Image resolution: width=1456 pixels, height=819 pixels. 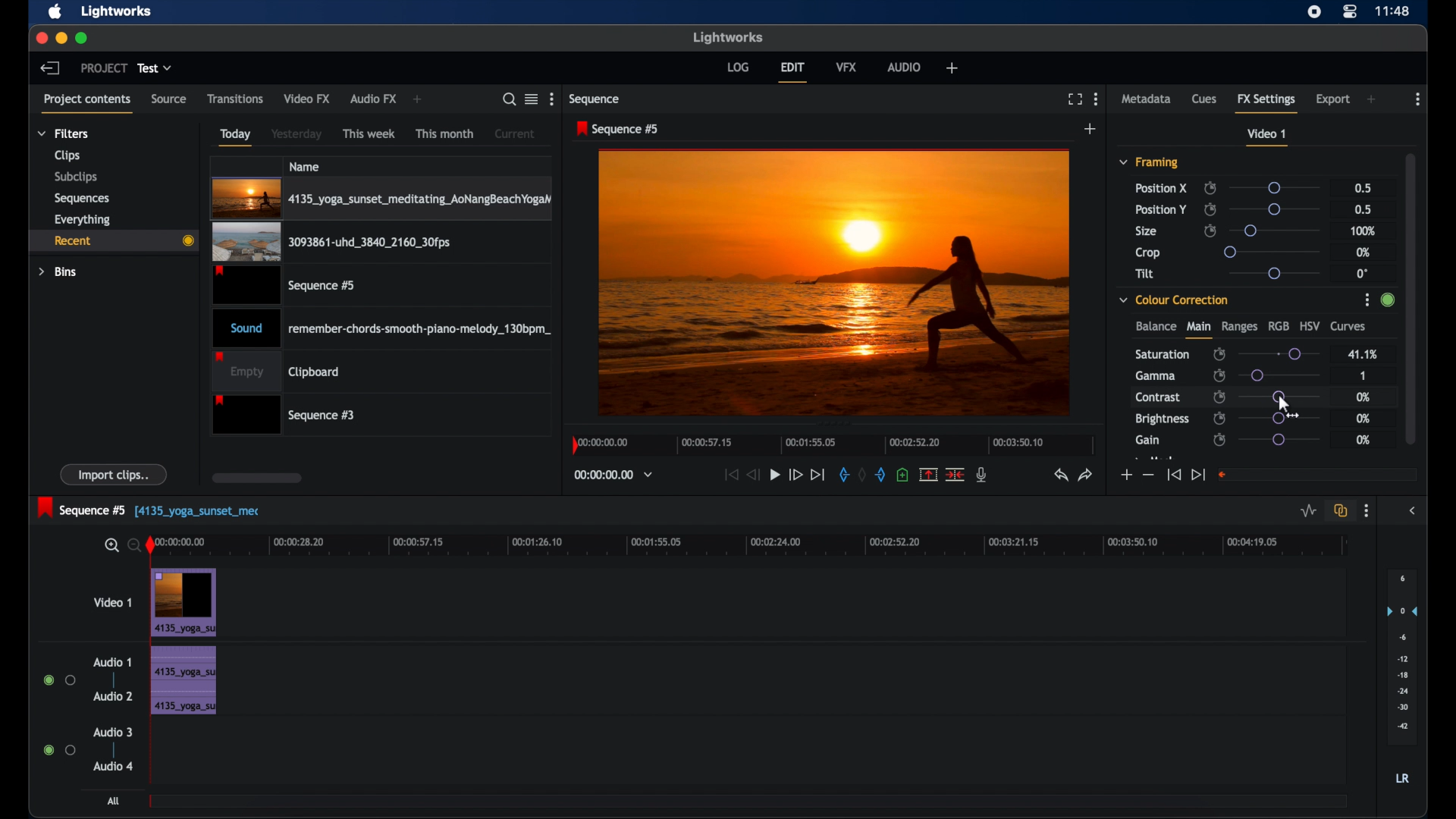 What do you see at coordinates (1362, 353) in the screenshot?
I see `41.1%` at bounding box center [1362, 353].